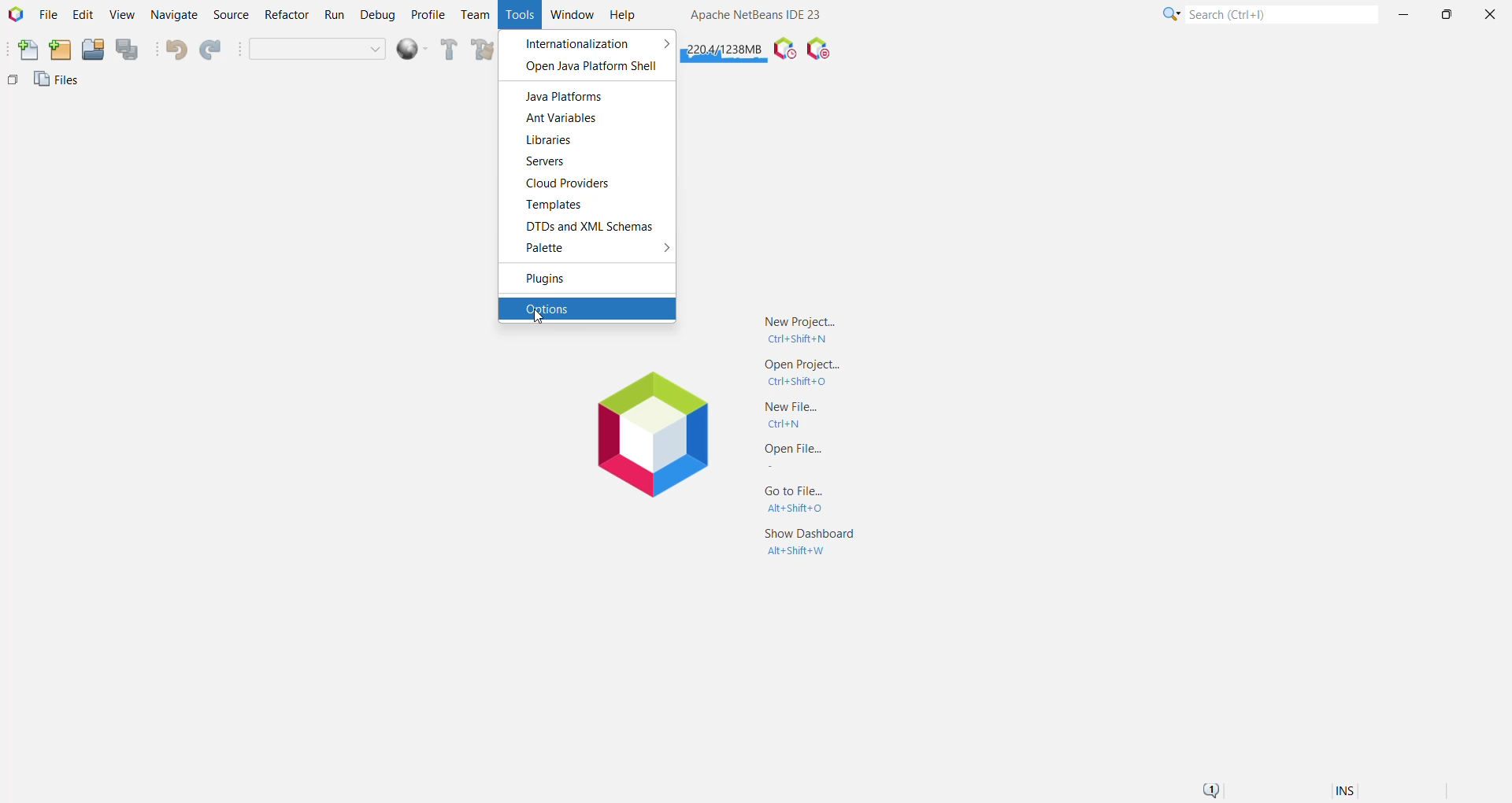 The image size is (1512, 803). What do you see at coordinates (551, 140) in the screenshot?
I see `Libraries` at bounding box center [551, 140].